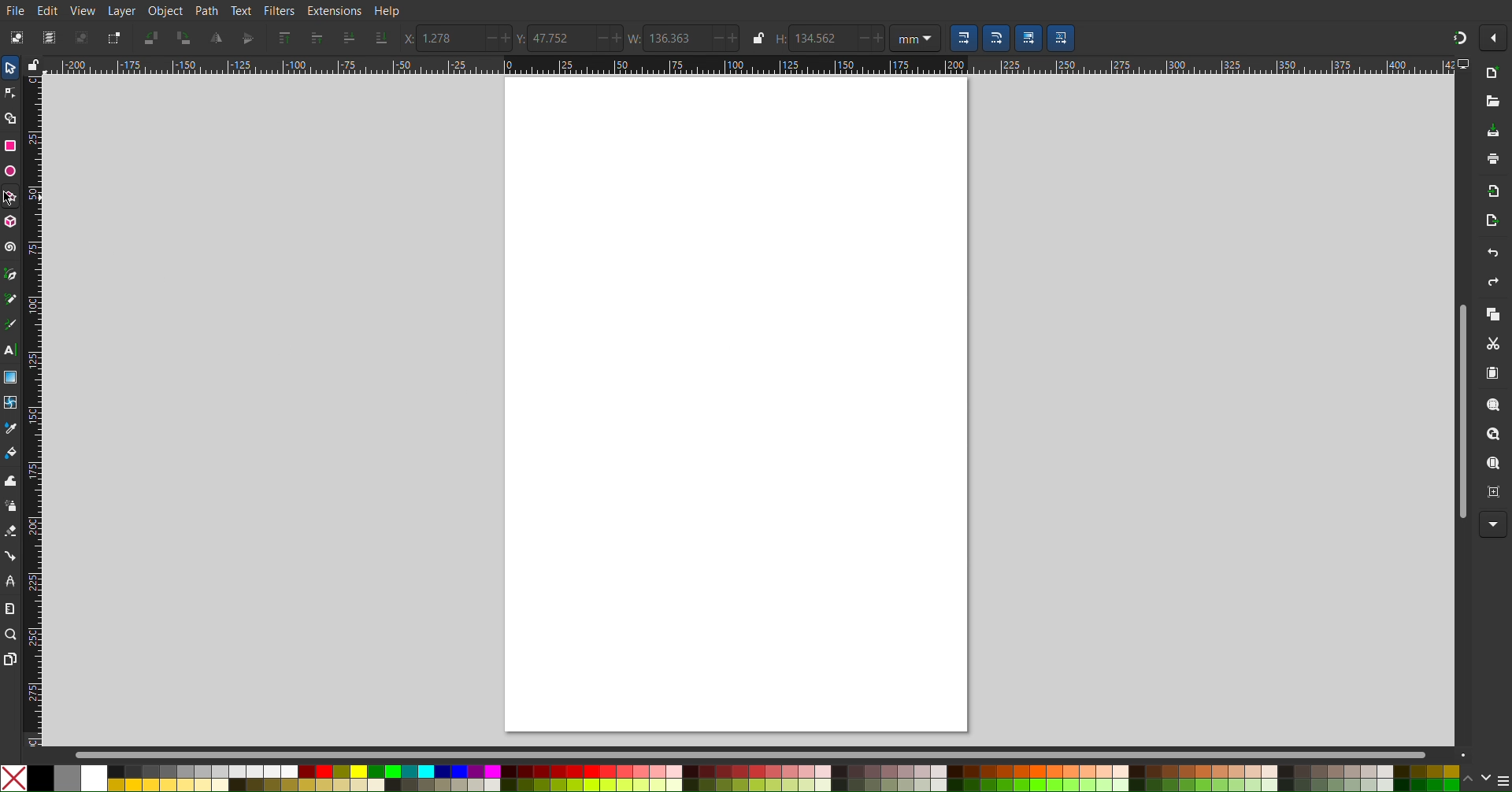 This screenshot has width=1512, height=792. Describe the element at coordinates (748, 65) in the screenshot. I see `Horizontal Ruler` at that location.